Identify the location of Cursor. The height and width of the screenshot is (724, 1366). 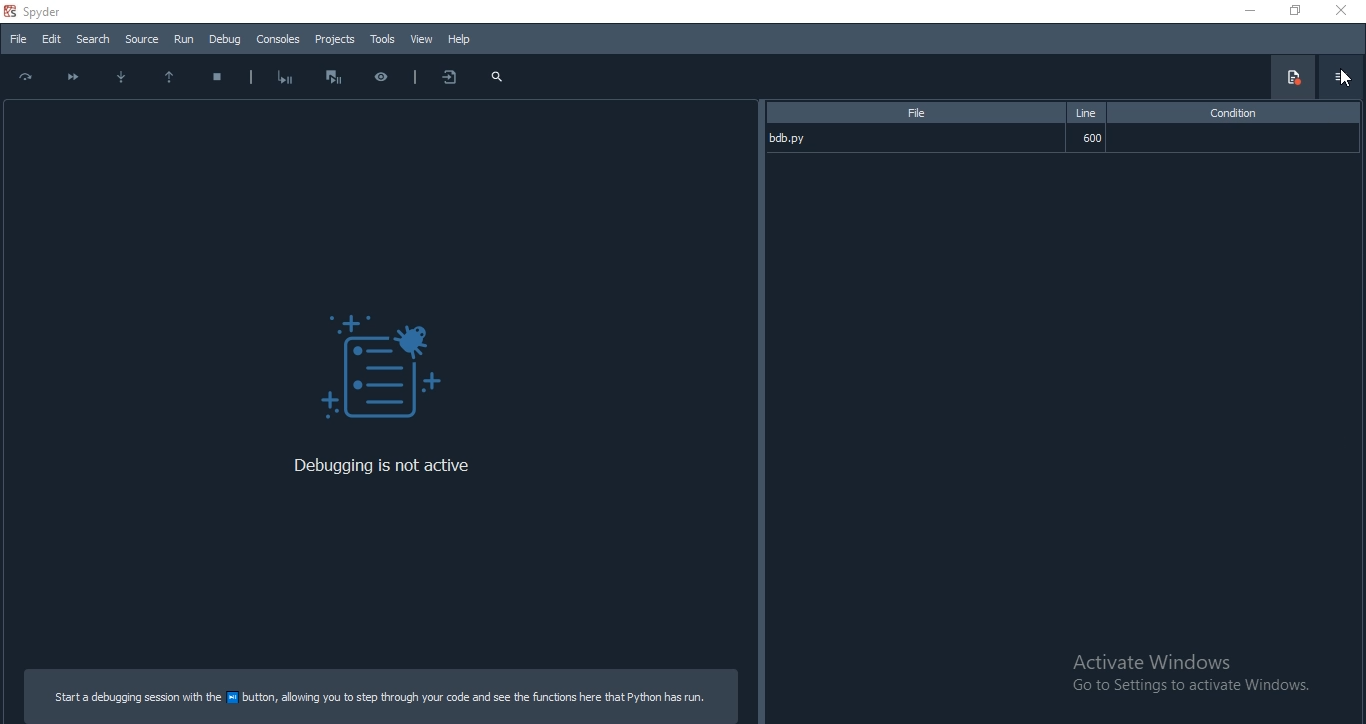
(1344, 79).